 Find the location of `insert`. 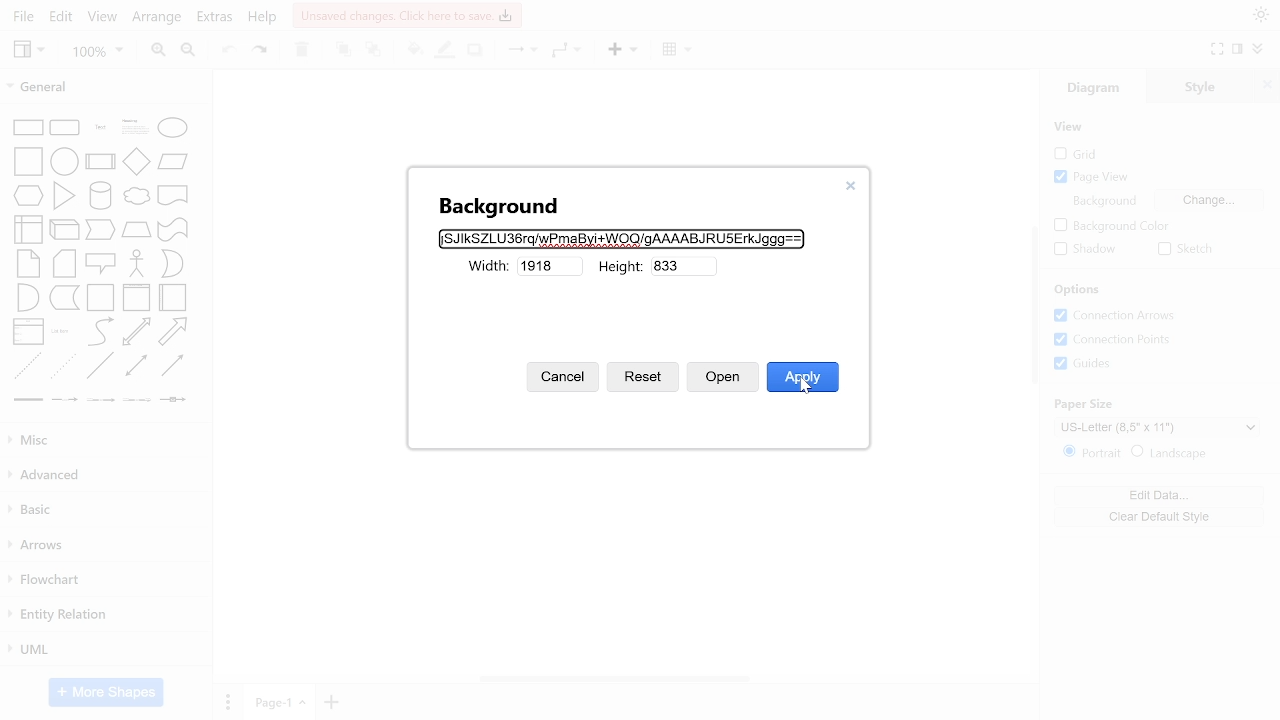

insert is located at coordinates (620, 51).